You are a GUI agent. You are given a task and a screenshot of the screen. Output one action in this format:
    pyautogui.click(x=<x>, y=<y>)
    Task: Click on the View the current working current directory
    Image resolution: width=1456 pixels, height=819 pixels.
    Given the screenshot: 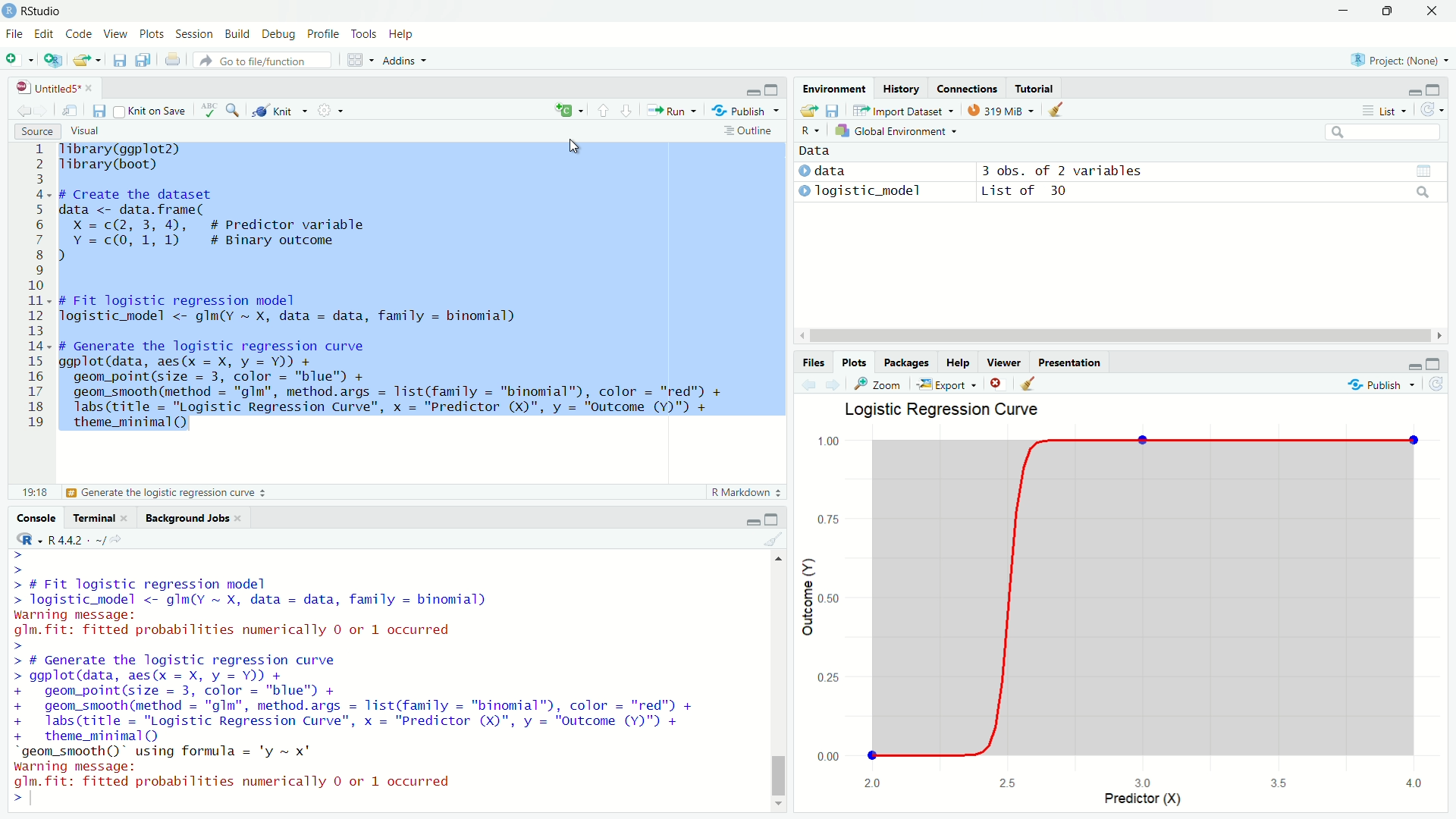 What is the action you would take?
    pyautogui.click(x=117, y=538)
    